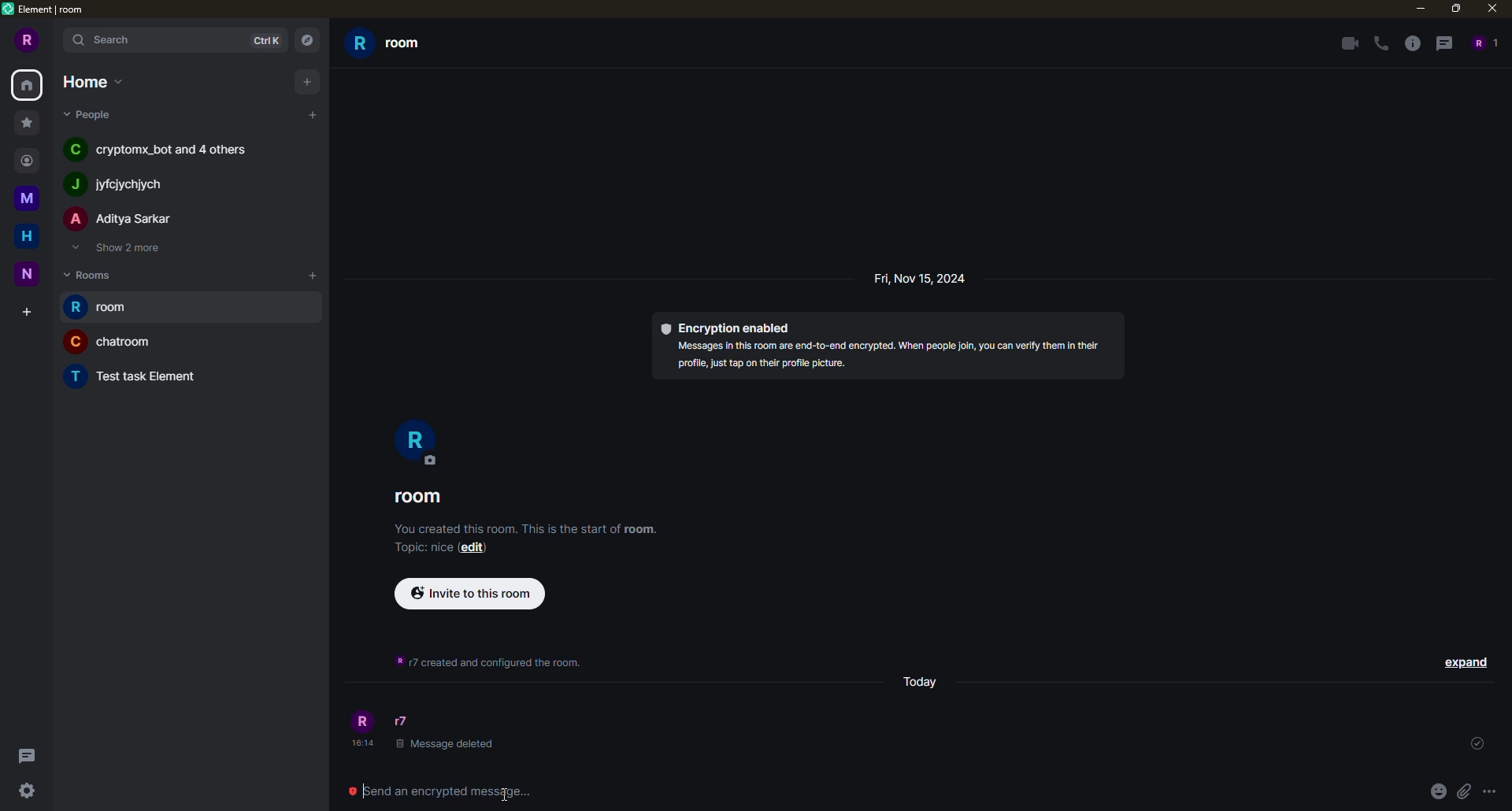 Image resolution: width=1512 pixels, height=811 pixels. Describe the element at coordinates (98, 307) in the screenshot. I see `room` at that location.